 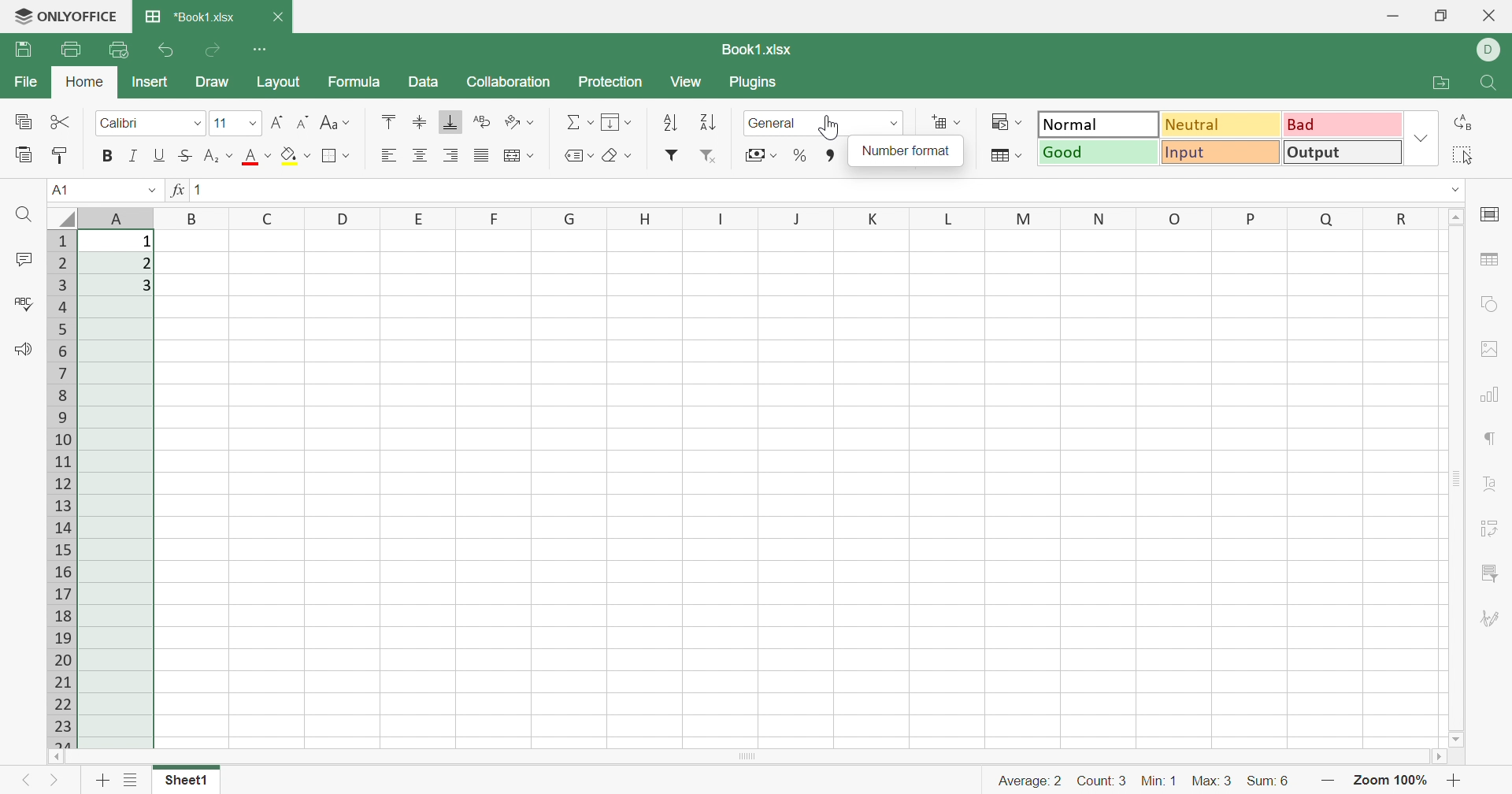 What do you see at coordinates (711, 158) in the screenshot?
I see `Remove filter` at bounding box center [711, 158].